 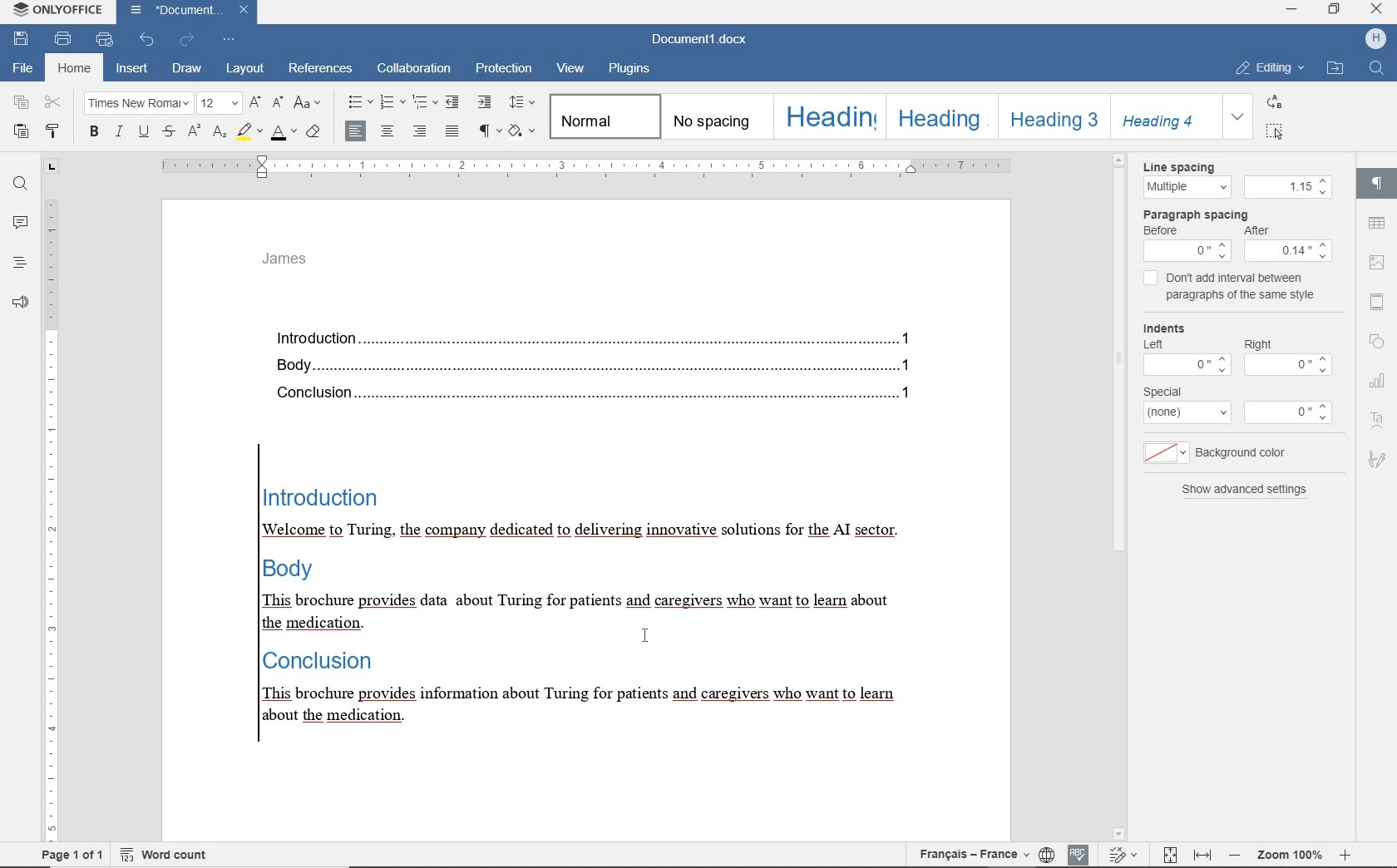 What do you see at coordinates (187, 12) in the screenshot?
I see `document name` at bounding box center [187, 12].